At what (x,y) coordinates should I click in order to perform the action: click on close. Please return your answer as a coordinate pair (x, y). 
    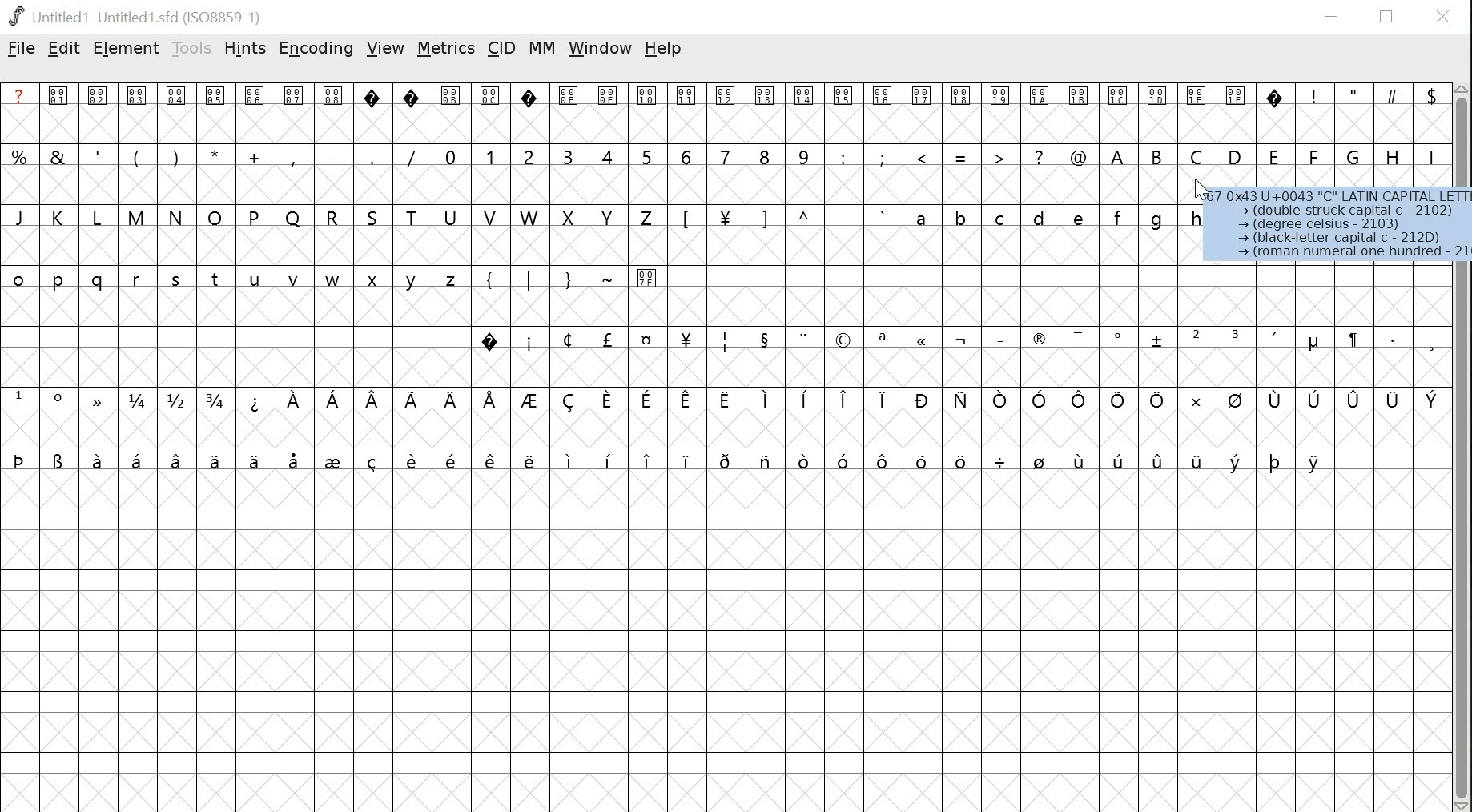
    Looking at the image, I should click on (1445, 16).